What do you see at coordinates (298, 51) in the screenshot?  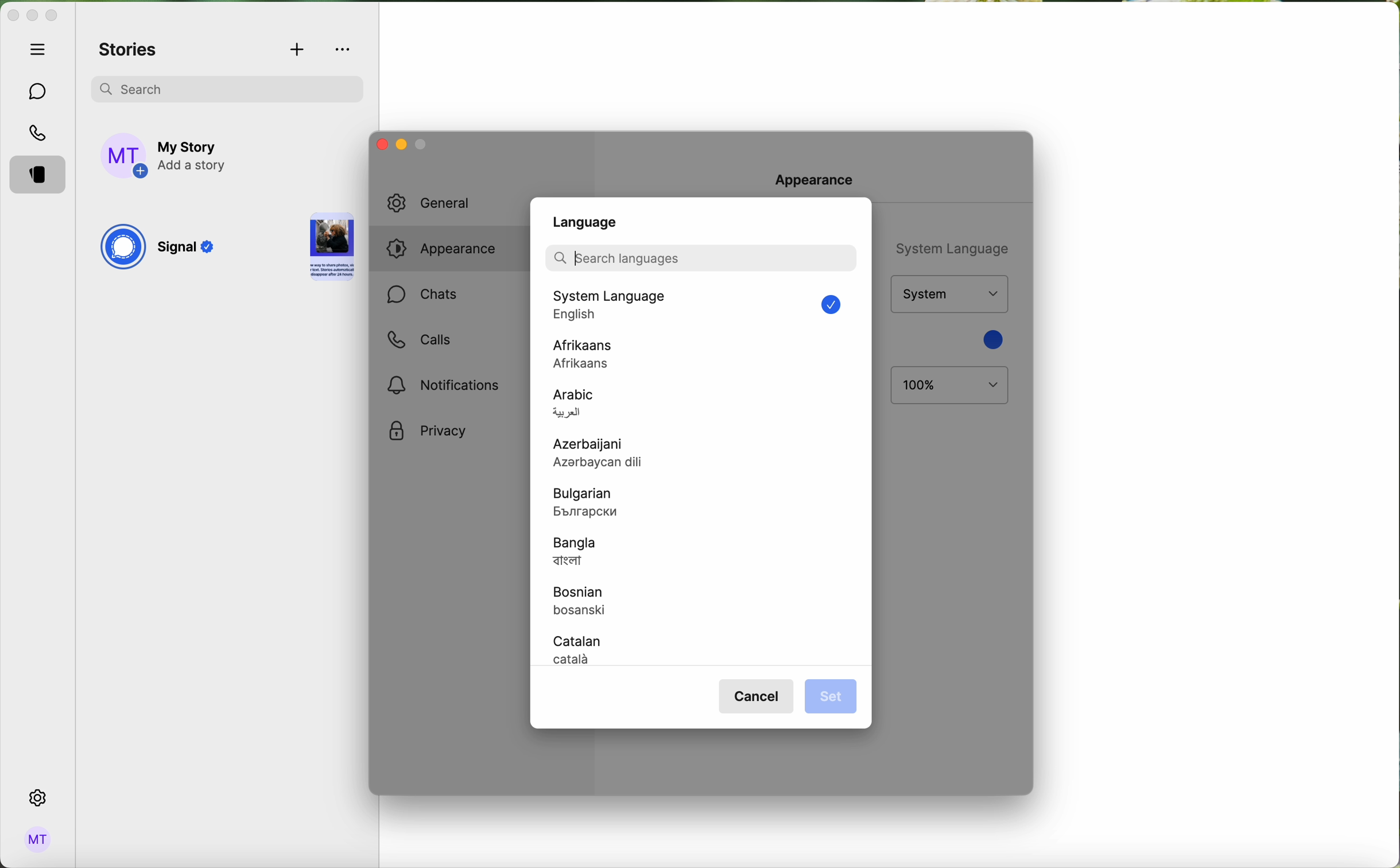 I see `add` at bounding box center [298, 51].